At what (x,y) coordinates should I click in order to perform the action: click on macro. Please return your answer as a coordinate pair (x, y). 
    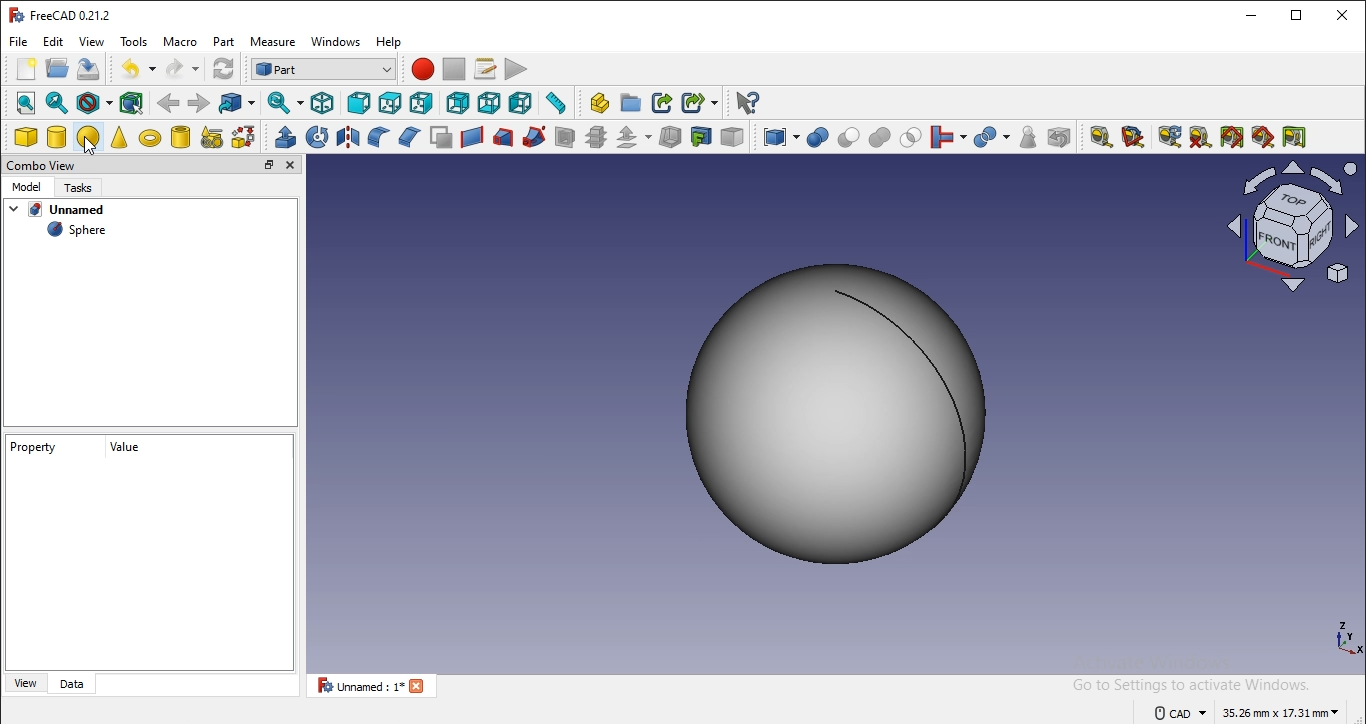
    Looking at the image, I should click on (180, 42).